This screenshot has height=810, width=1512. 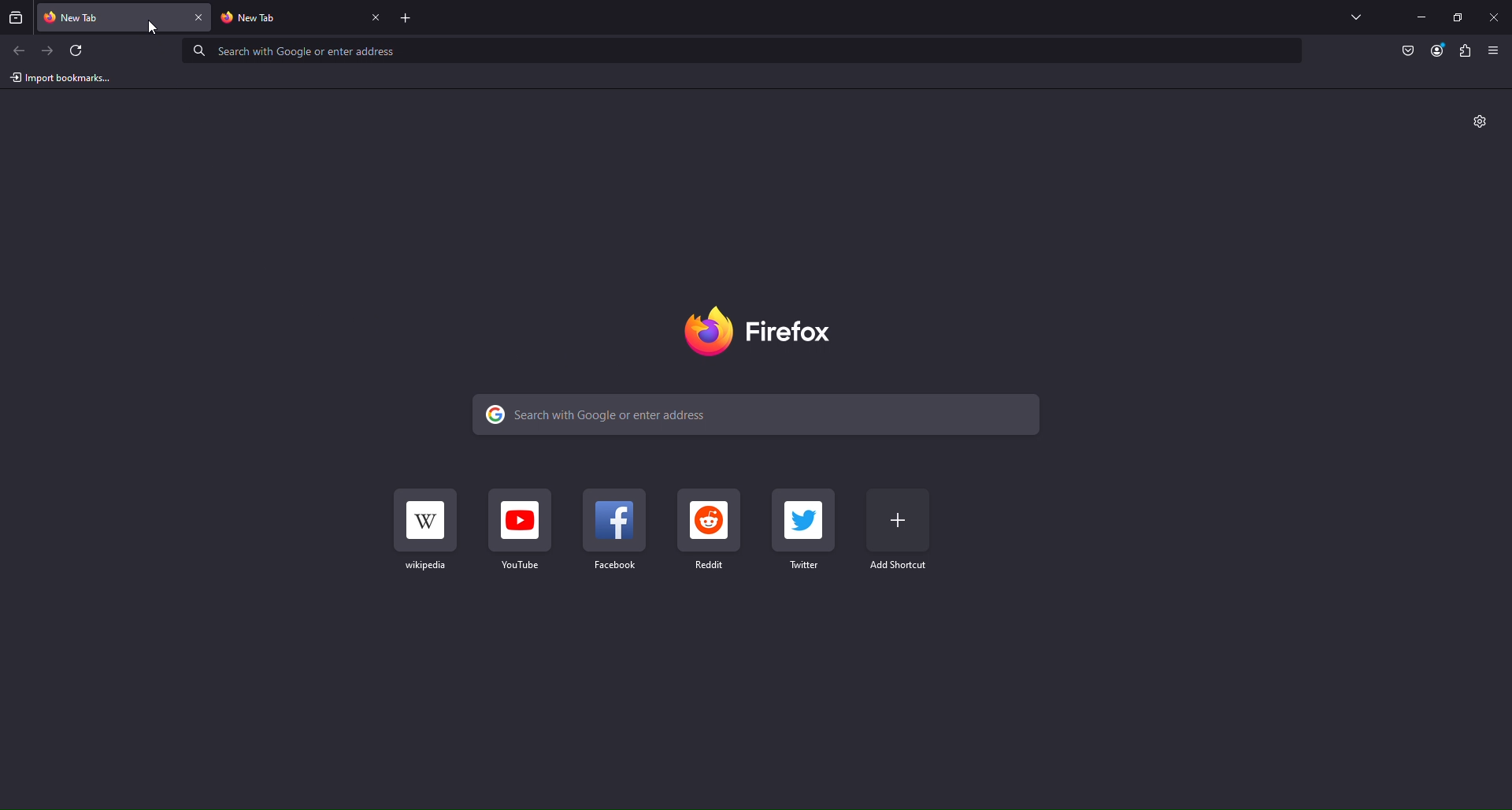 What do you see at coordinates (377, 18) in the screenshot?
I see `close tab` at bounding box center [377, 18].